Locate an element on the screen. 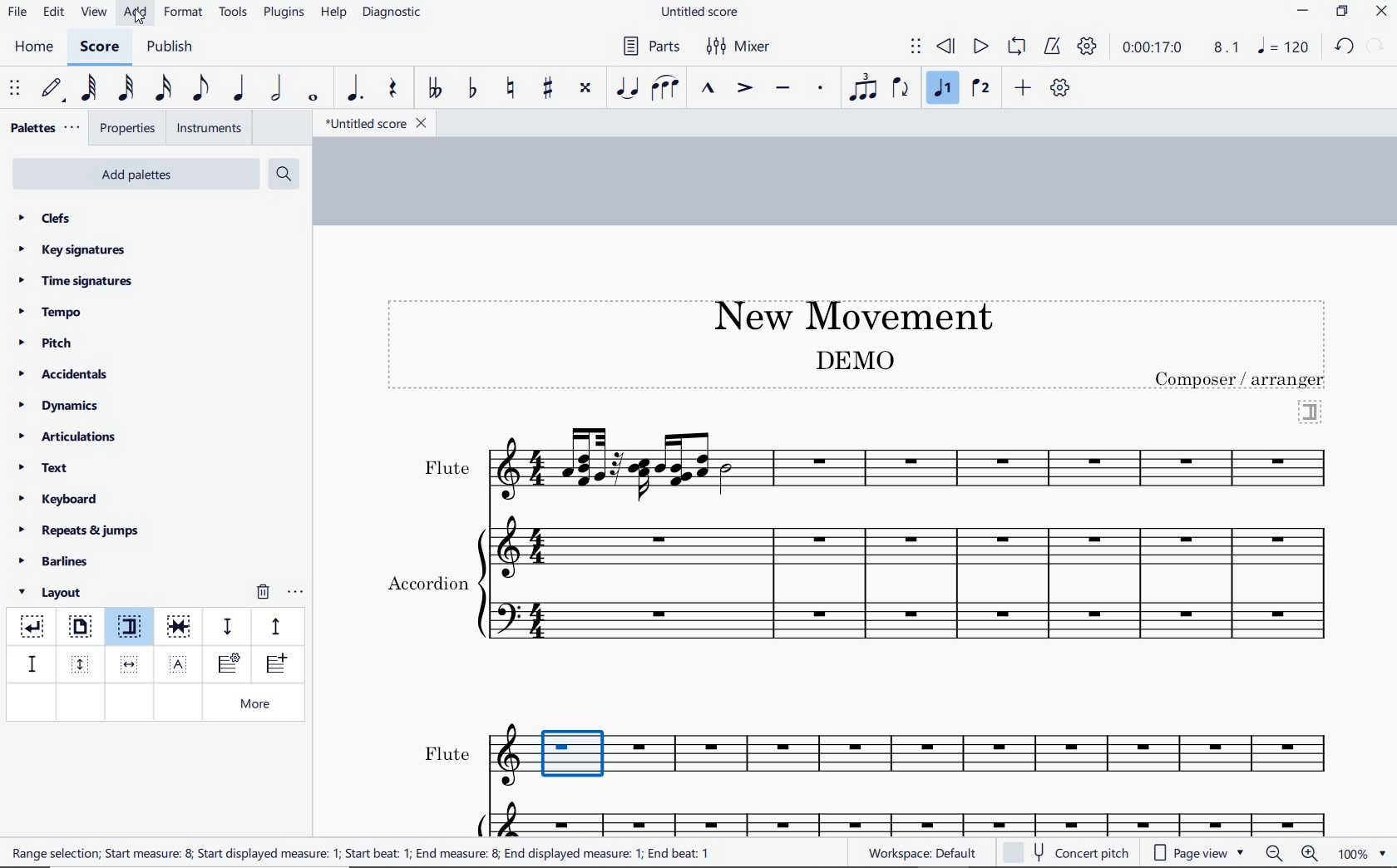  zoom factor is located at coordinates (1362, 853).